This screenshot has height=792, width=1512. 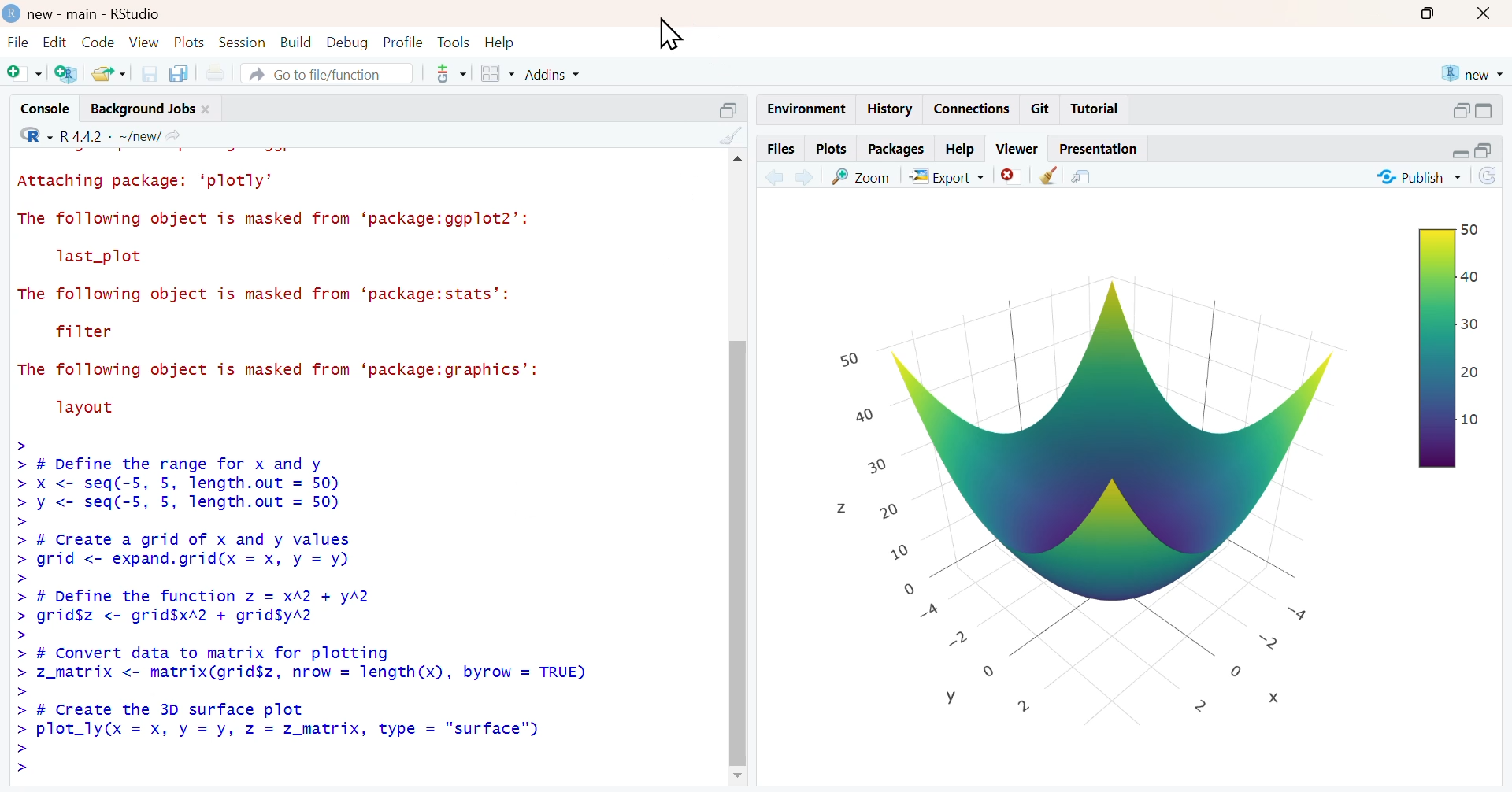 I want to click on clear all plots, so click(x=1051, y=176).